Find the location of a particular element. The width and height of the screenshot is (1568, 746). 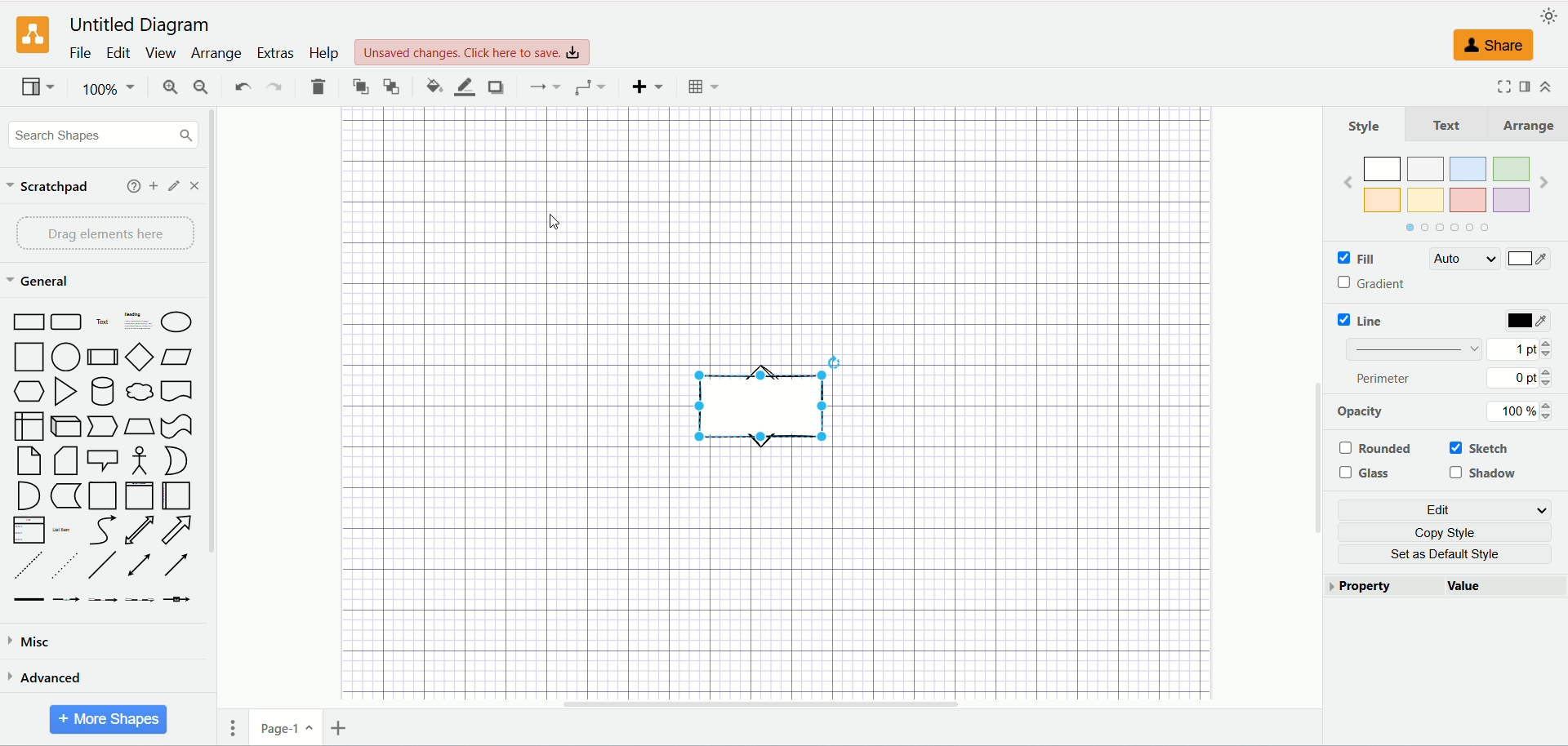

fill color is located at coordinates (431, 85).